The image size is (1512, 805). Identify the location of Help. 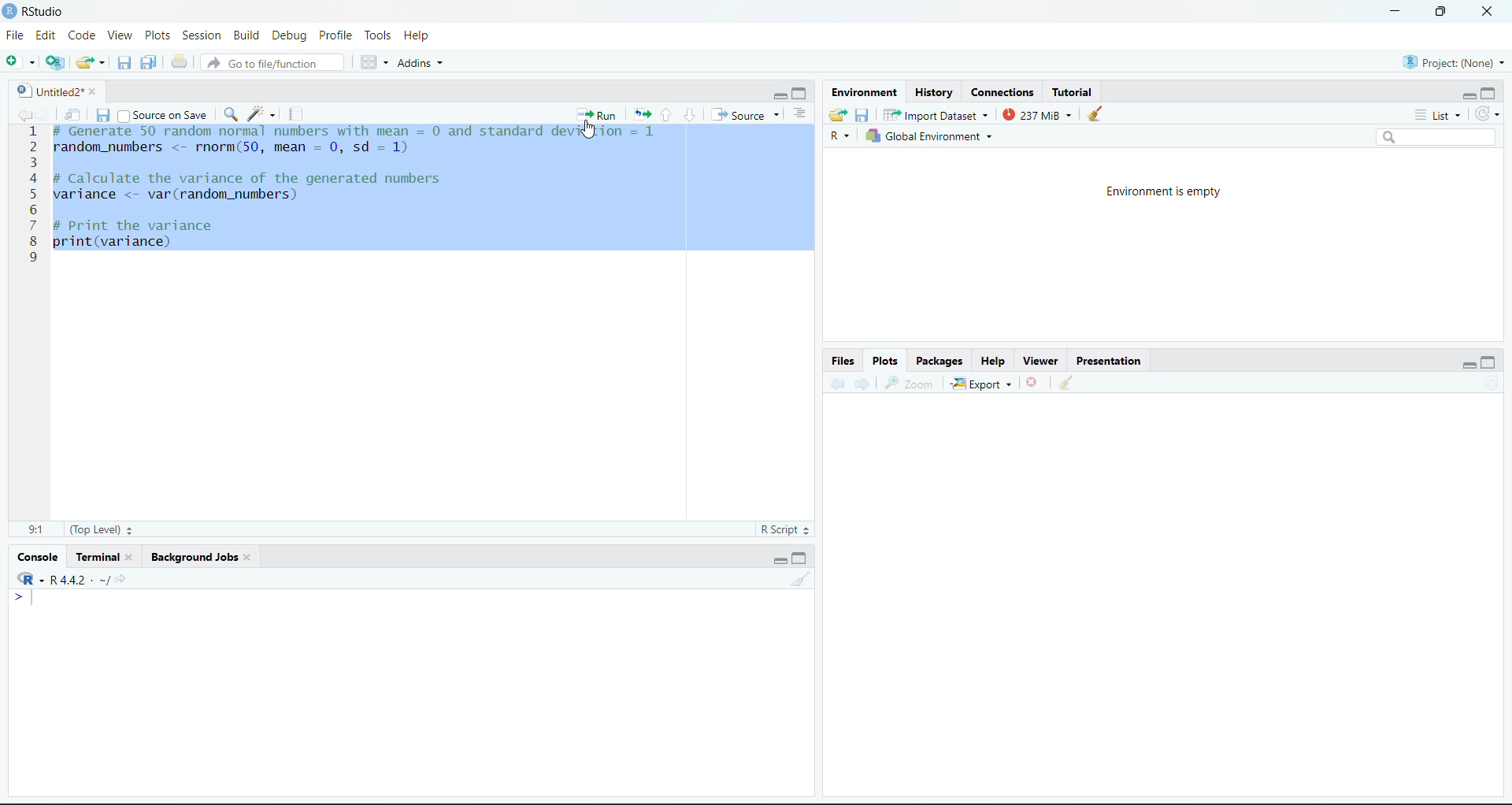
(417, 35).